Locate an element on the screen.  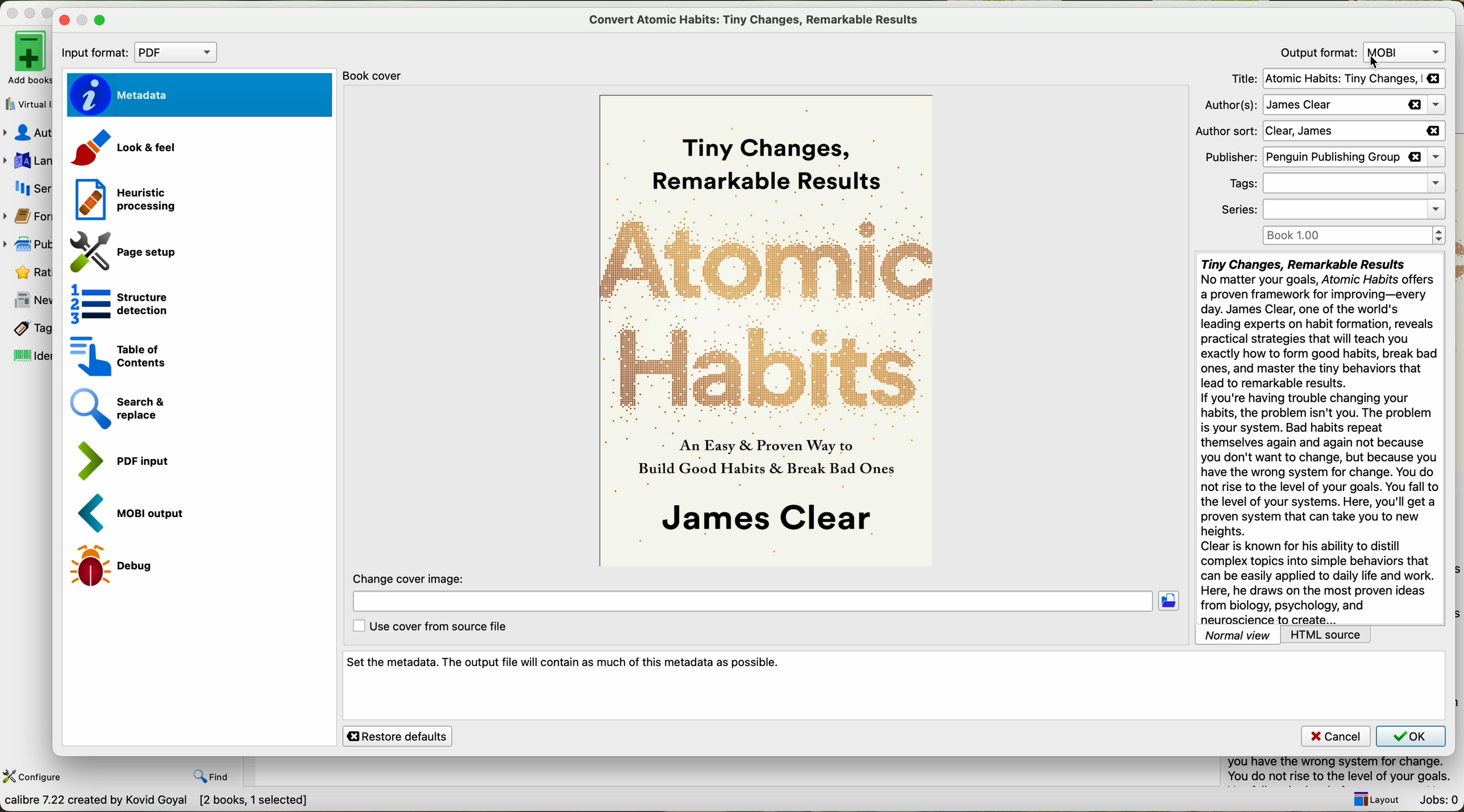
table of contents is located at coordinates (114, 354).